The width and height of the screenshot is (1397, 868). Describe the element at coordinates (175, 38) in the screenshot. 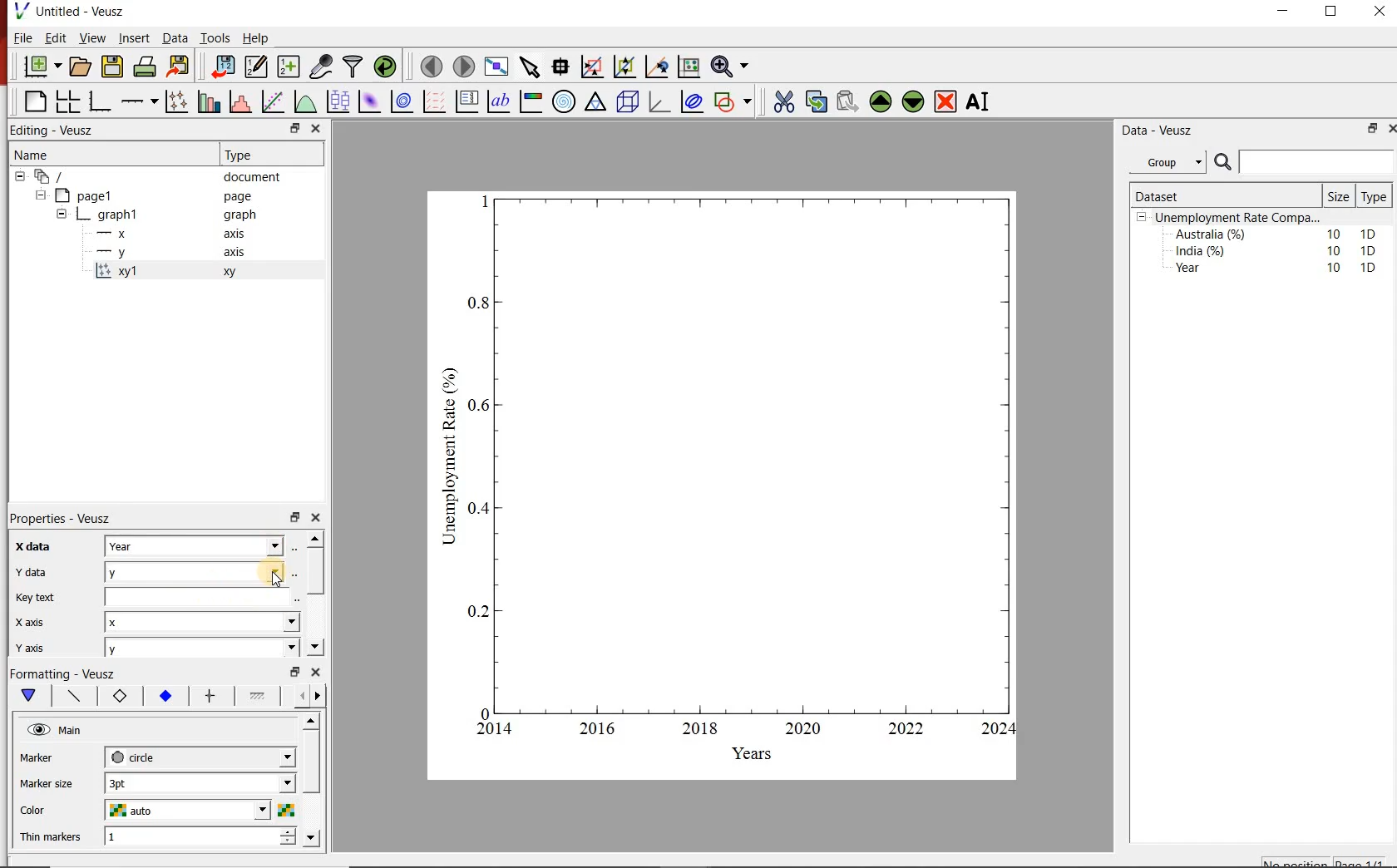

I see `Data` at that location.